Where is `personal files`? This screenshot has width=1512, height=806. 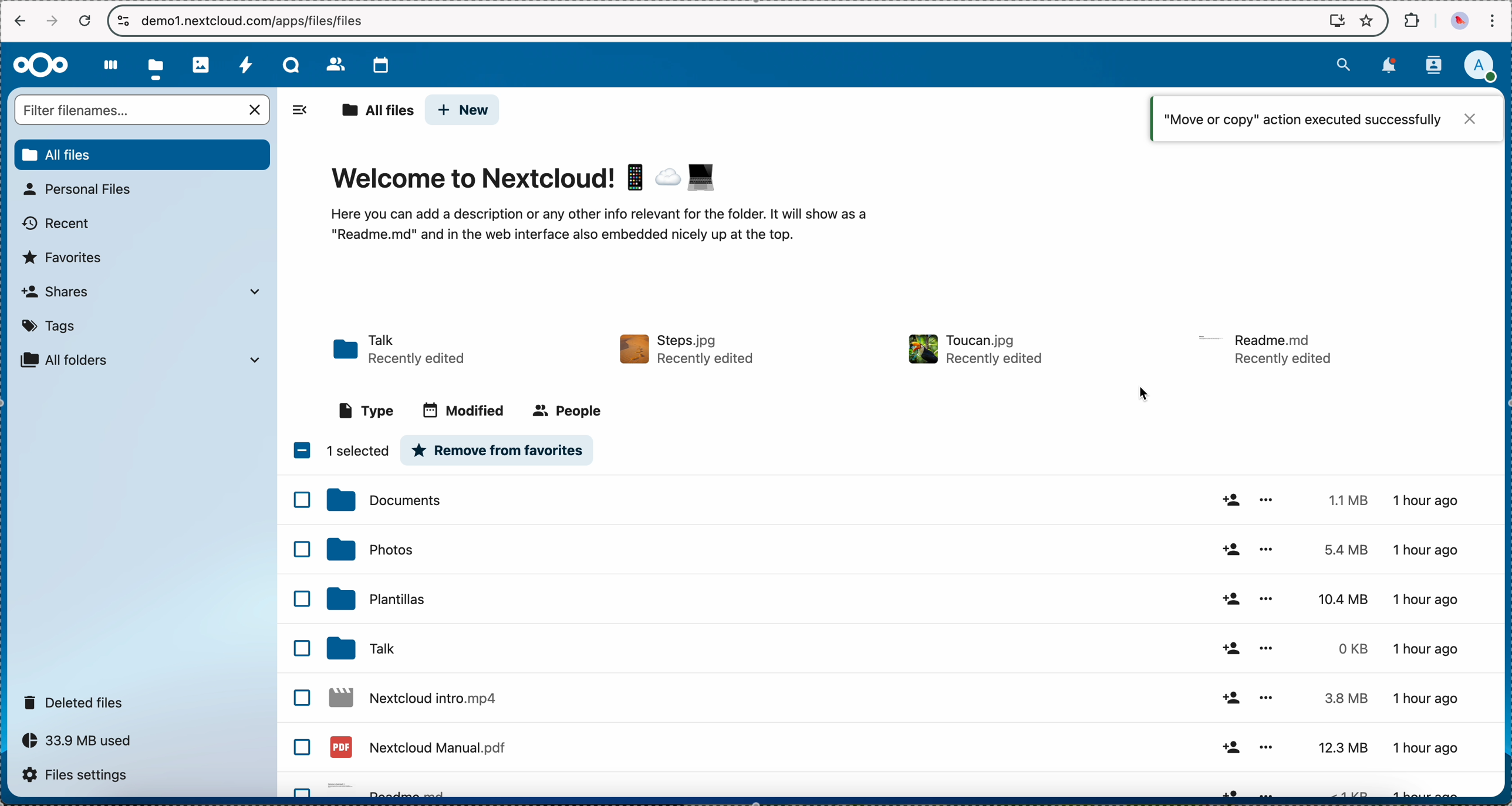
personal files is located at coordinates (84, 189).